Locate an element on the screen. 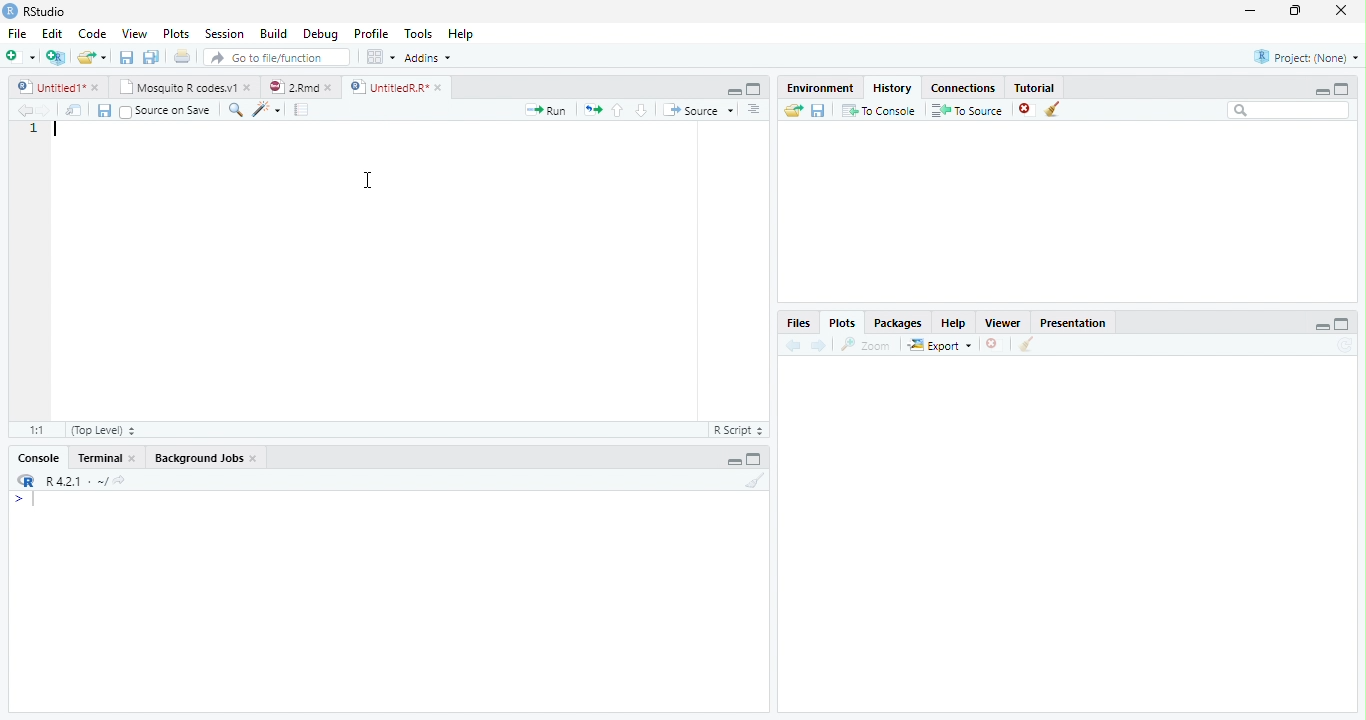 The height and width of the screenshot is (720, 1366). Project: (None) is located at coordinates (1305, 57).